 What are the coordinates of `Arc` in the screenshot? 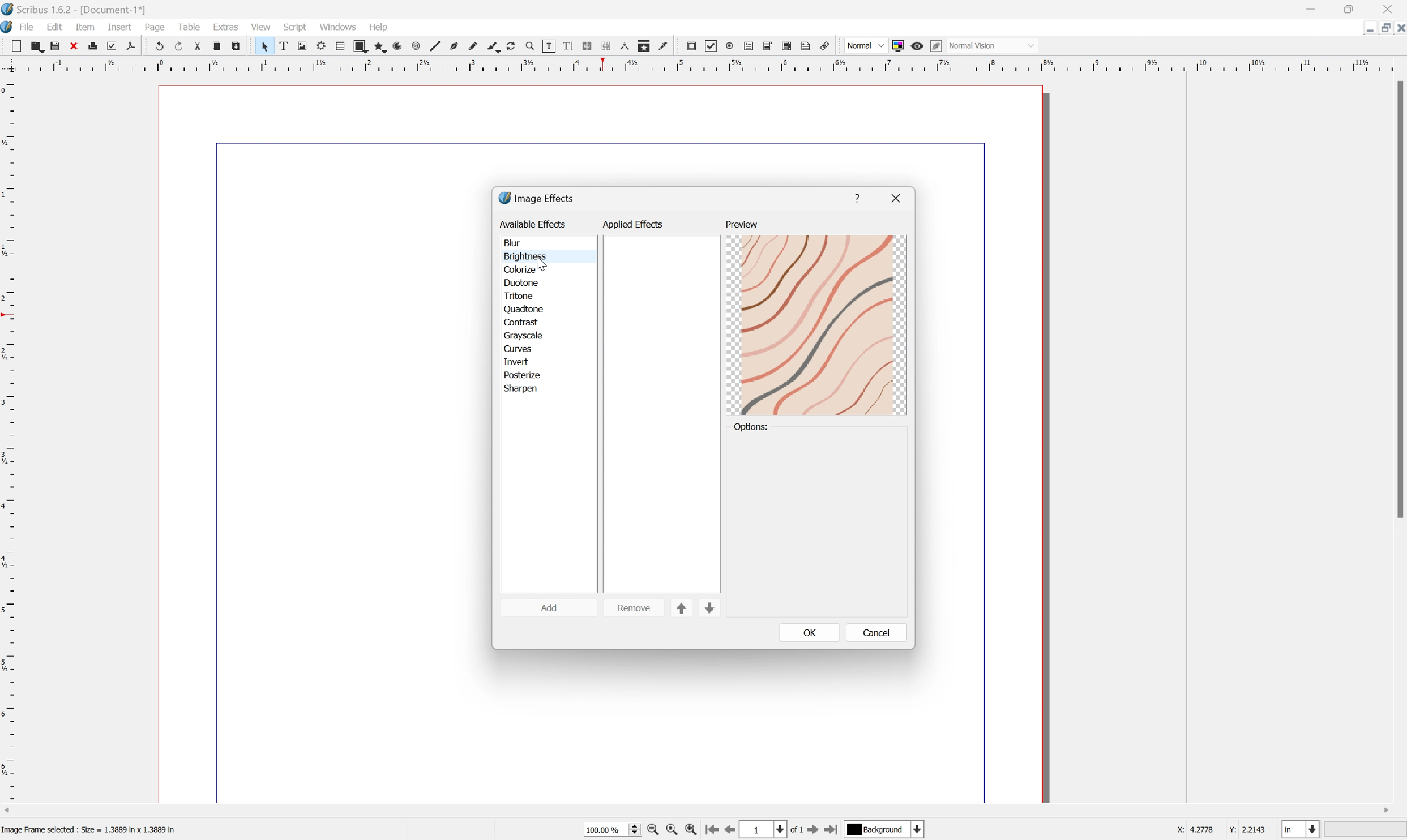 It's located at (400, 46).